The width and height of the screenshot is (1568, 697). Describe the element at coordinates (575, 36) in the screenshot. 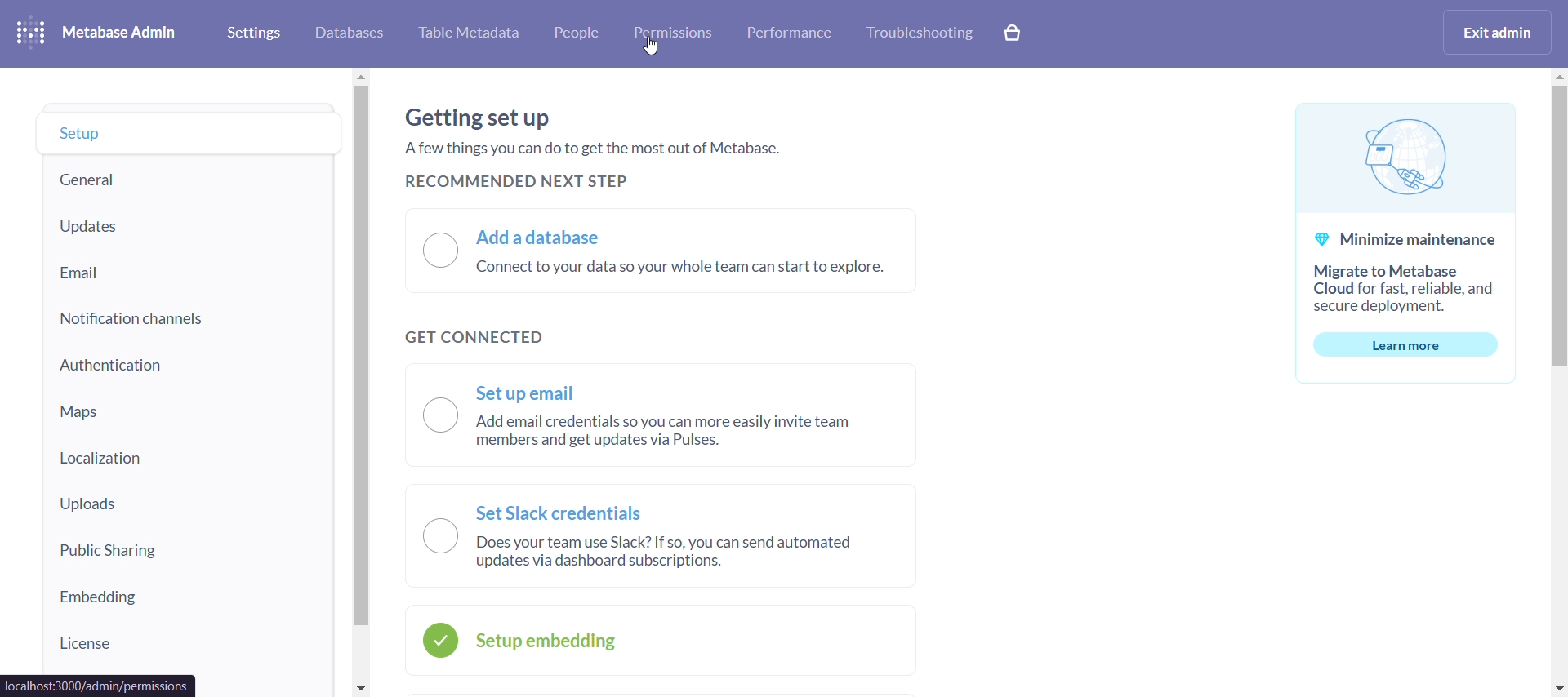

I see `people` at that location.